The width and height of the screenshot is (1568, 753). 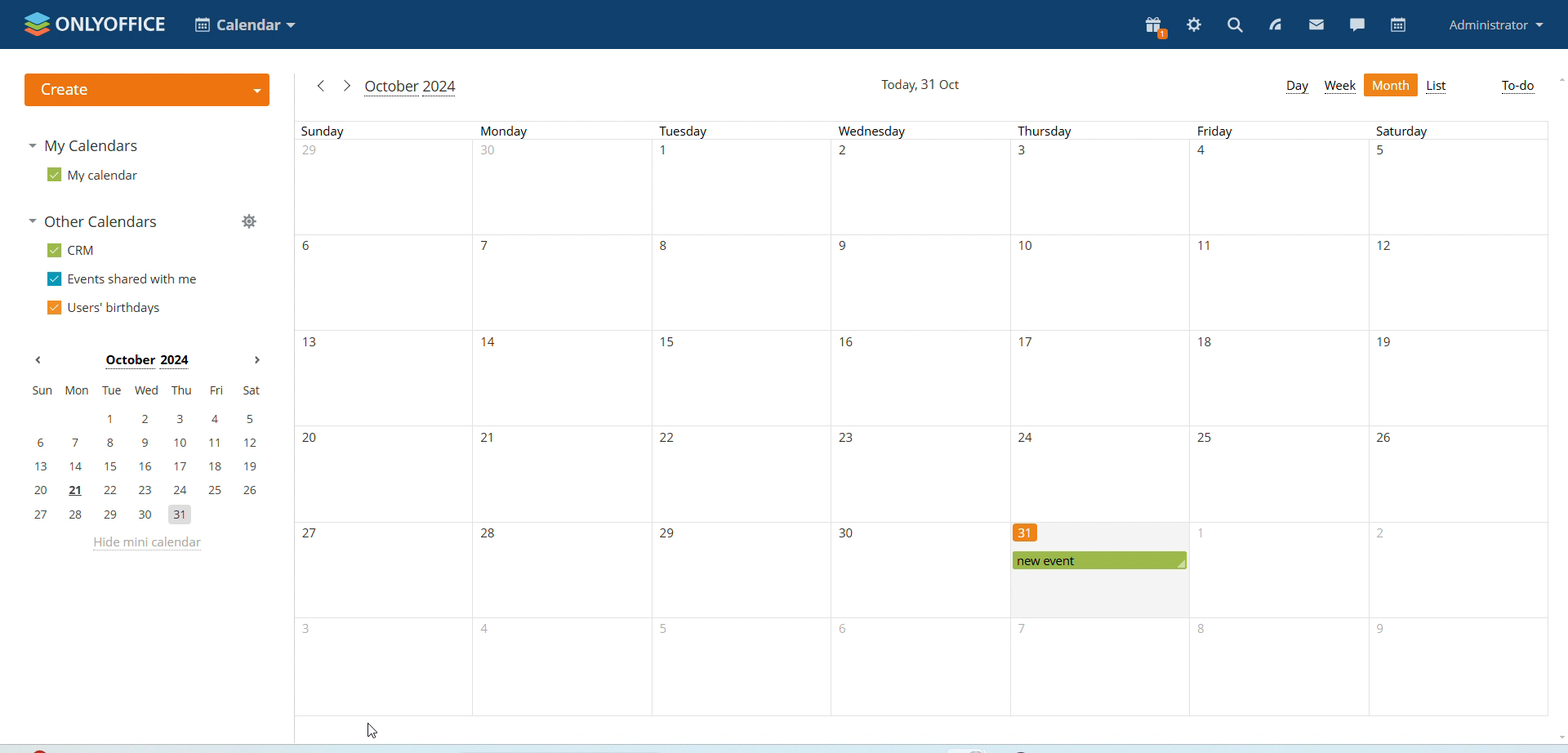 What do you see at coordinates (256, 360) in the screenshot?
I see `next month` at bounding box center [256, 360].